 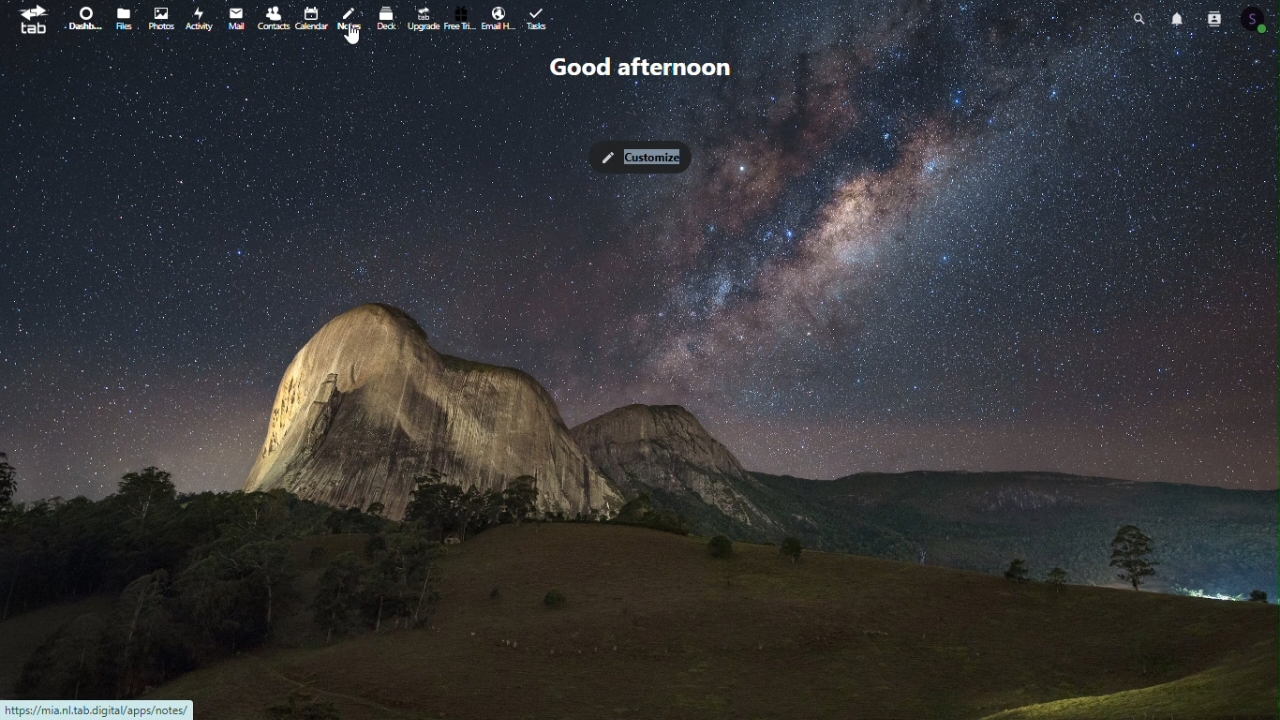 I want to click on Good afternoon, so click(x=647, y=67).